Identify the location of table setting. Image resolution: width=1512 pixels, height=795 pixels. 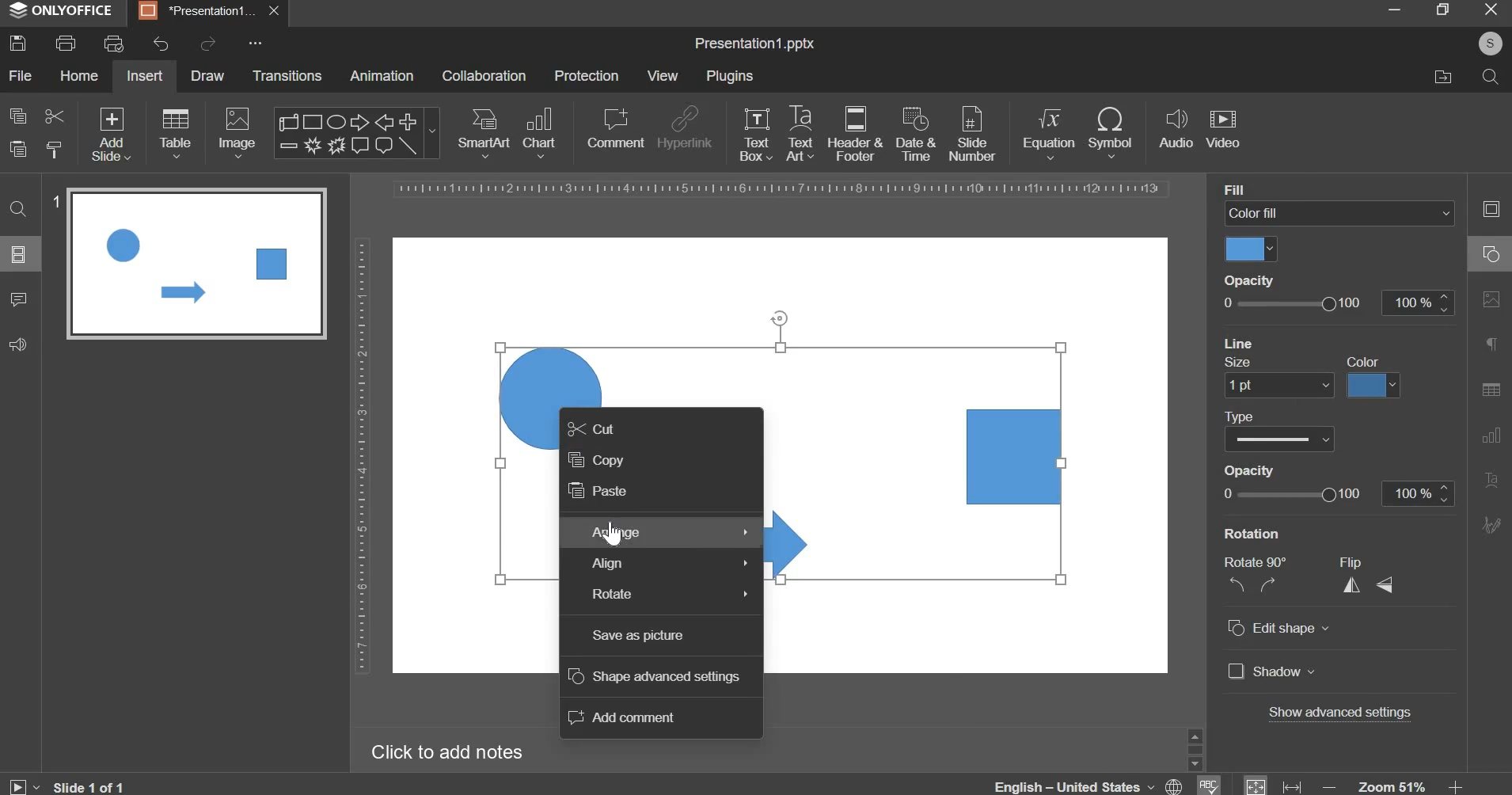
(1491, 389).